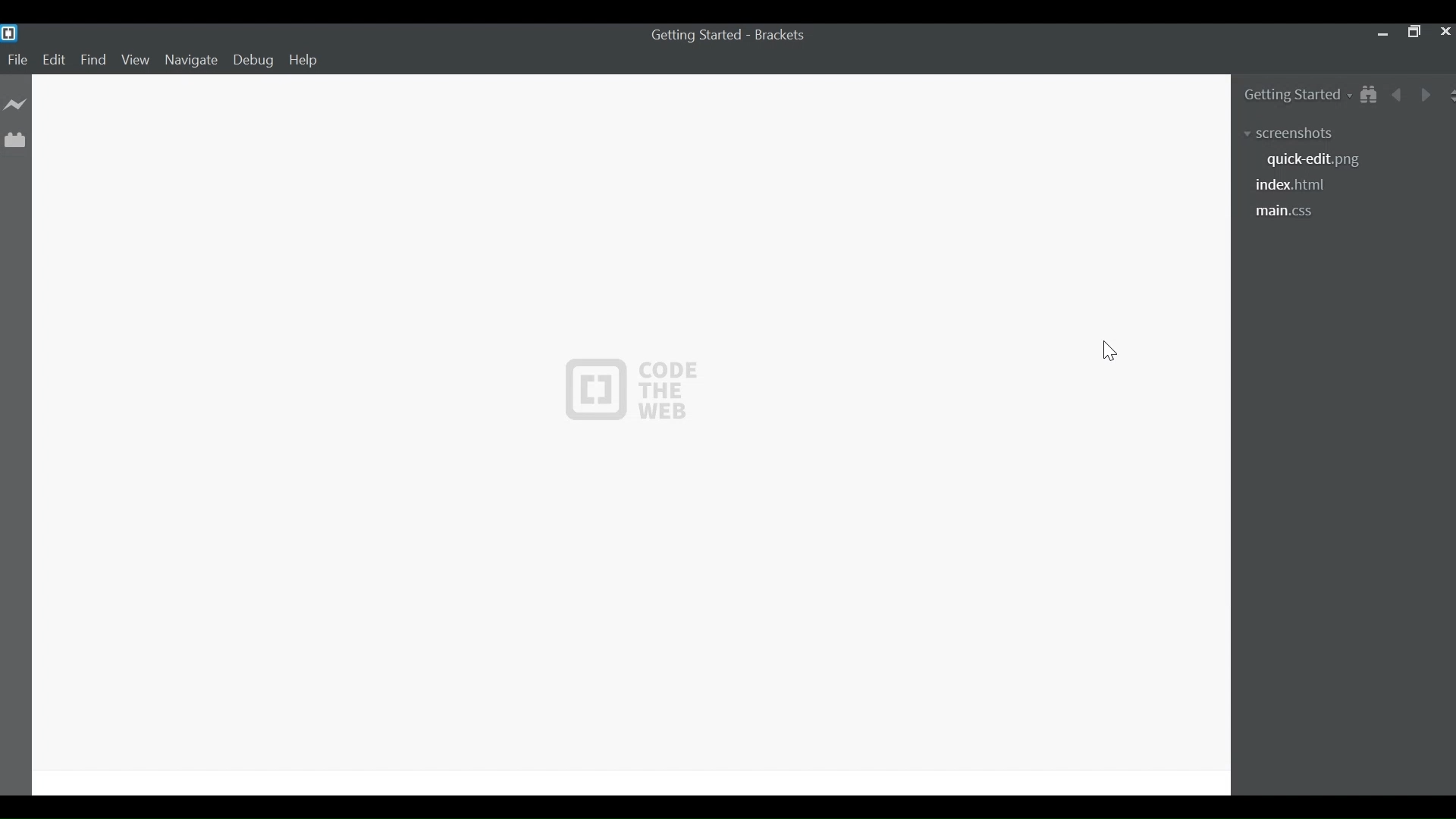 The height and width of the screenshot is (819, 1456). What do you see at coordinates (256, 61) in the screenshot?
I see `Debug` at bounding box center [256, 61].